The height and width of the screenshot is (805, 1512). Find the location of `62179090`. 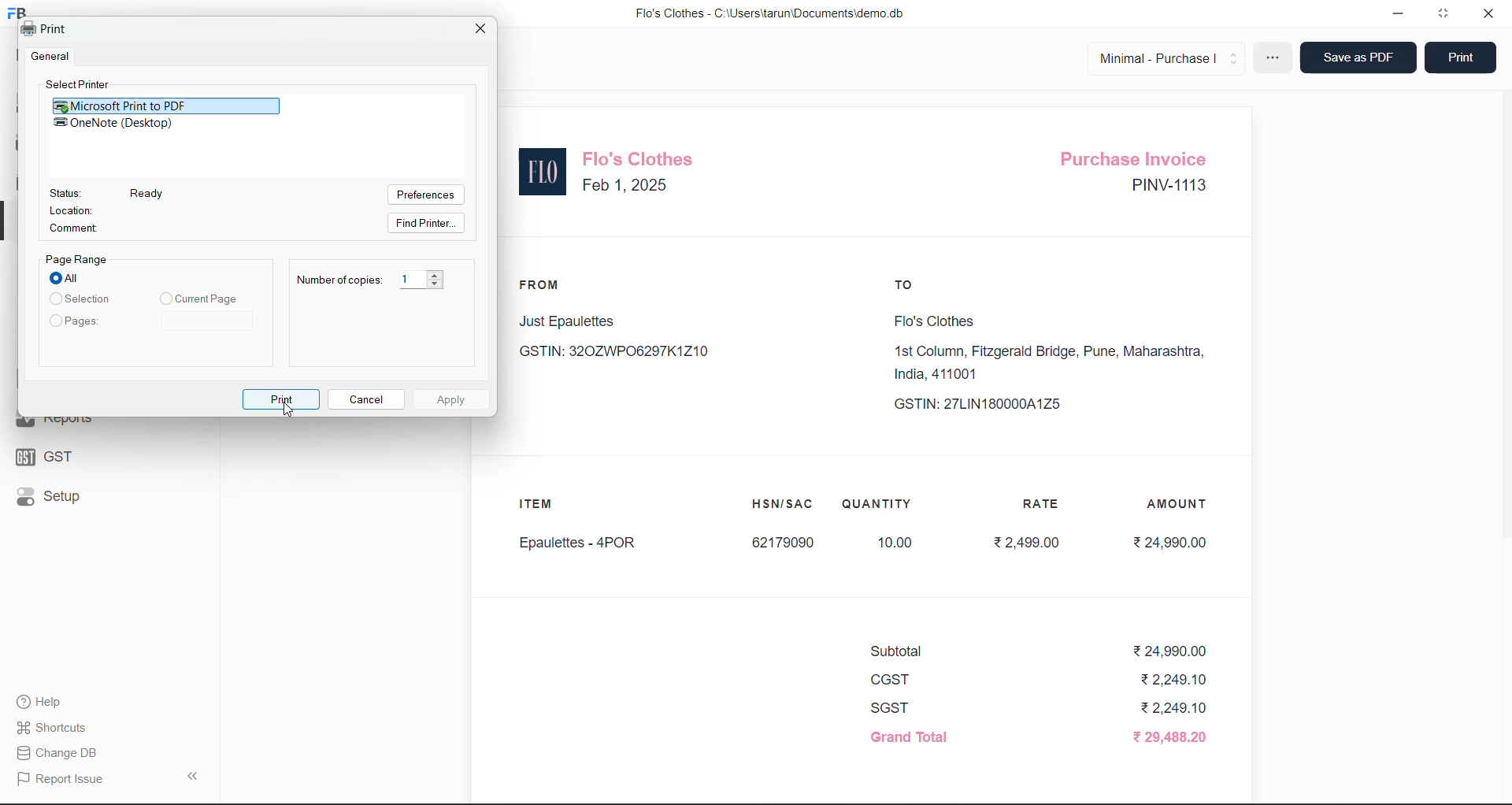

62179090 is located at coordinates (785, 542).